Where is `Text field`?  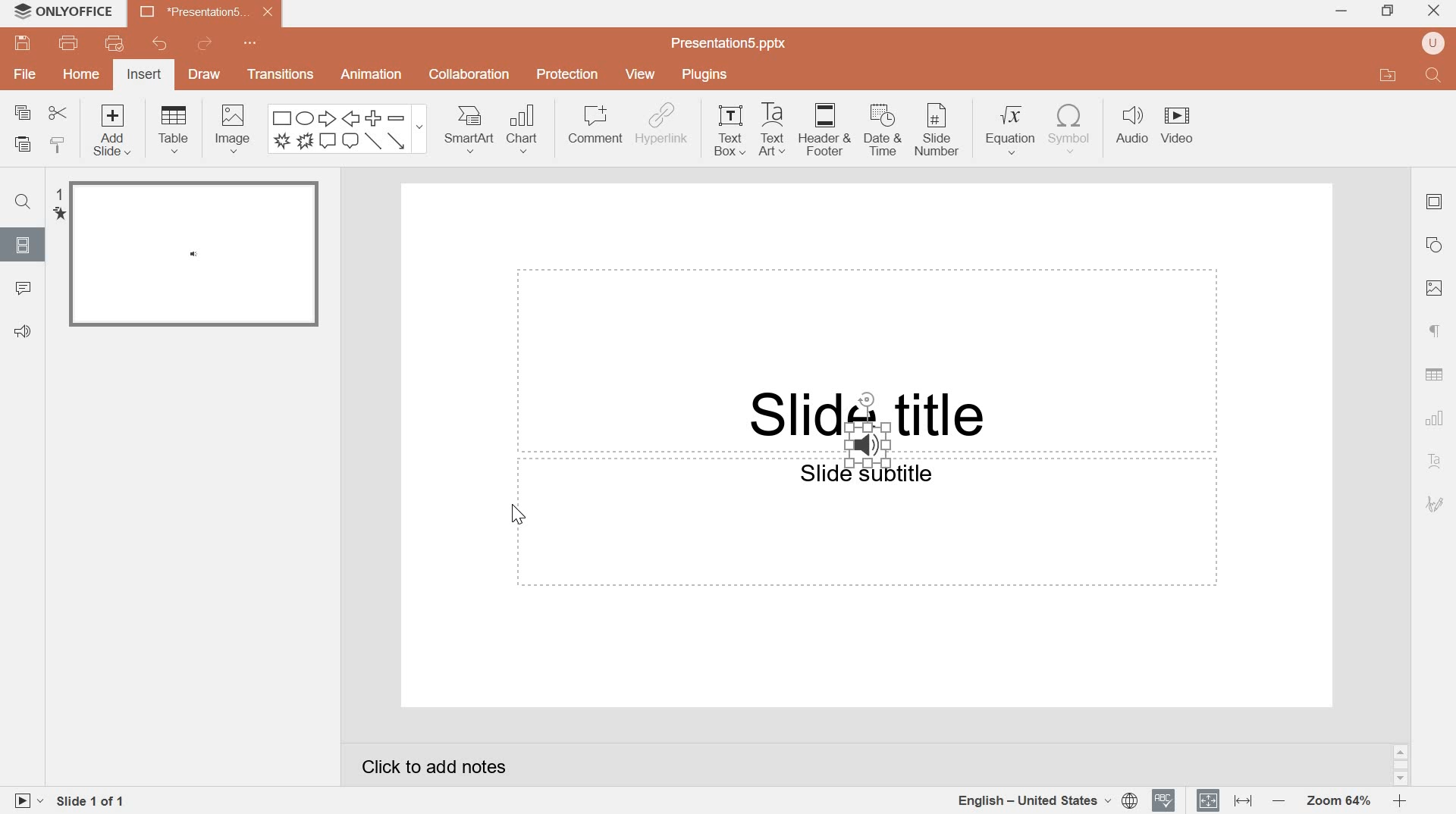 Text field is located at coordinates (868, 525).